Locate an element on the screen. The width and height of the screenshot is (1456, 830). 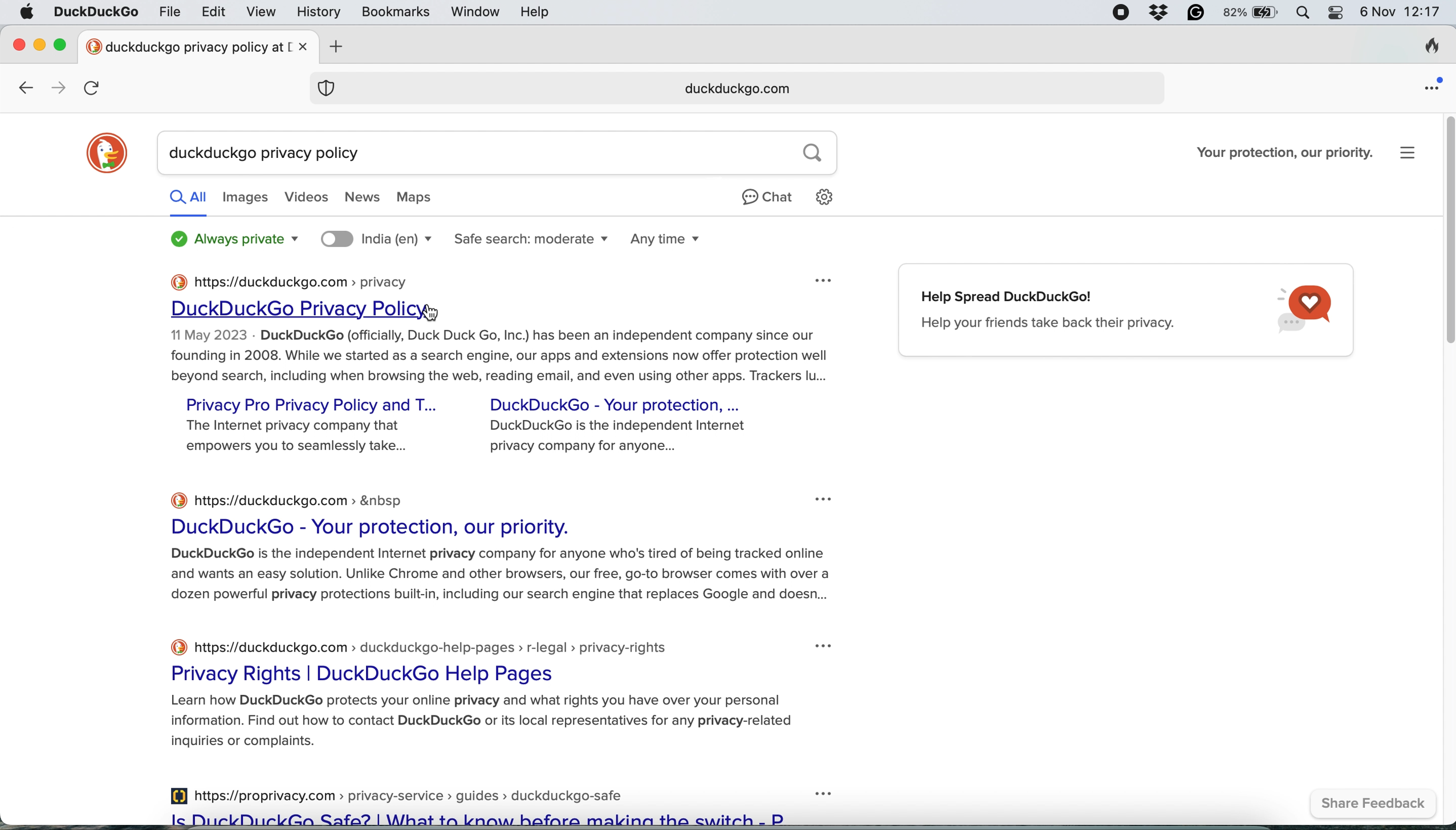
chat is located at coordinates (770, 195).